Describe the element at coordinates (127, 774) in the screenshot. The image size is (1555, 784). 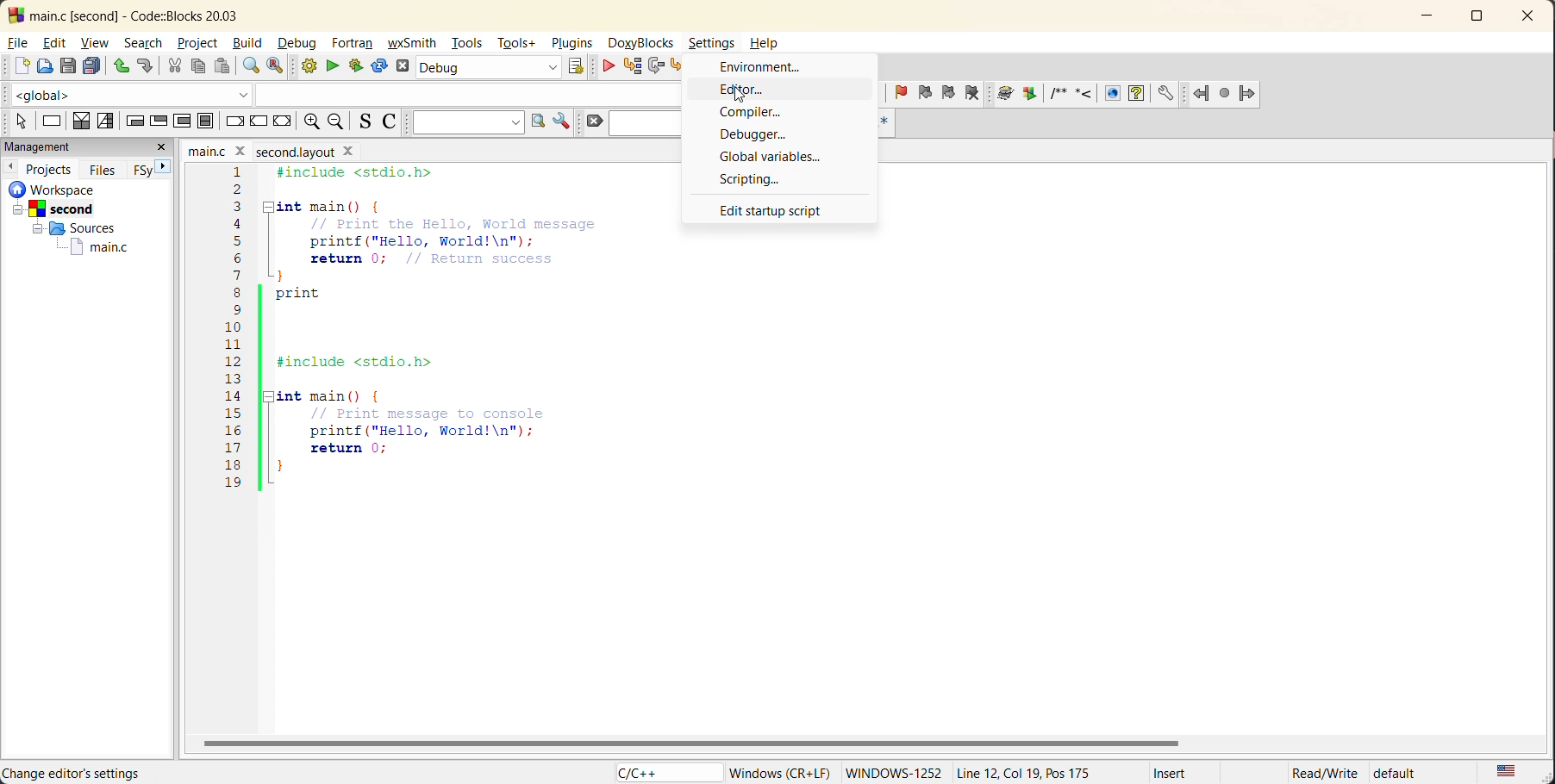
I see `file location` at that location.